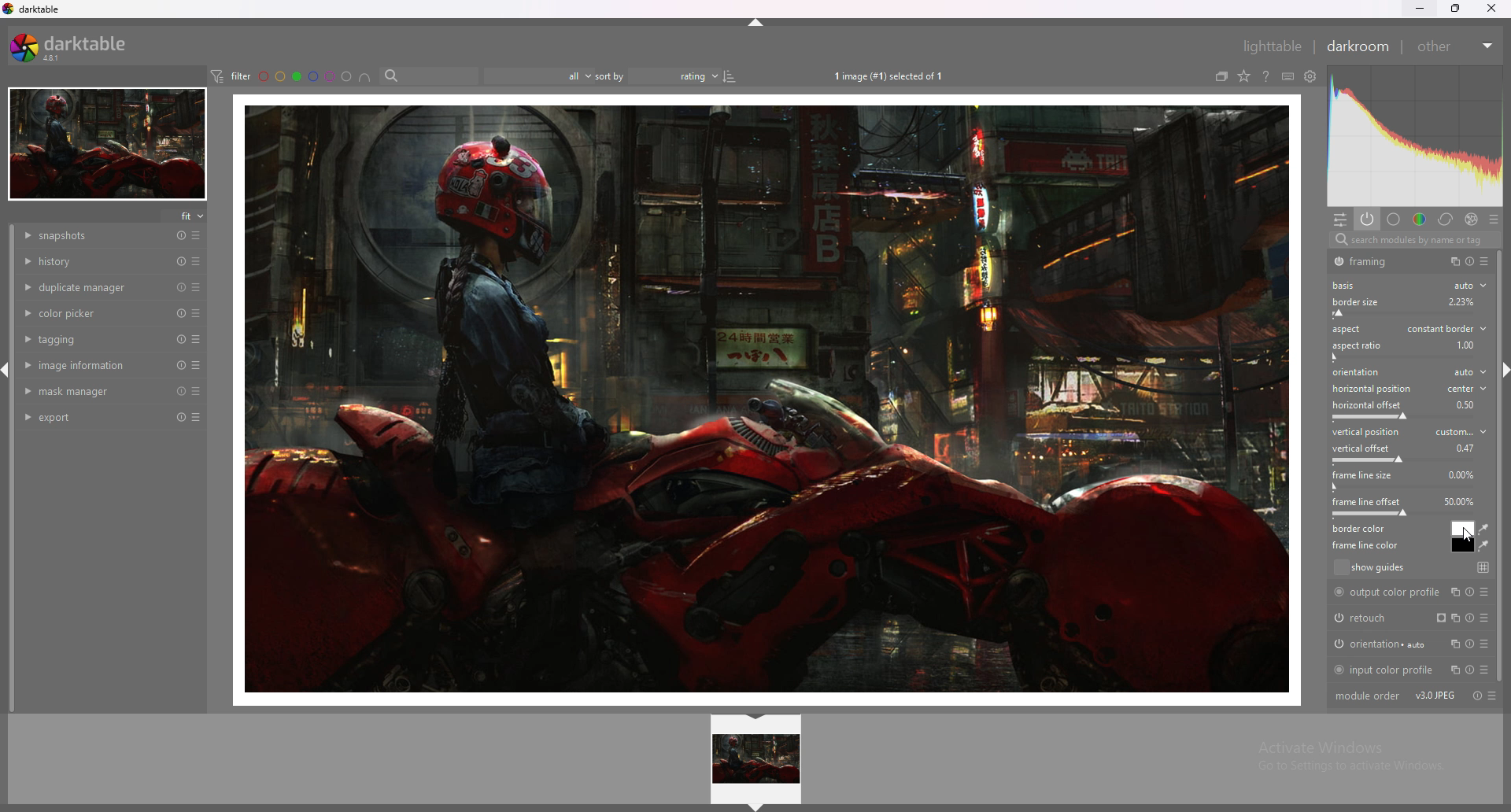 This screenshot has width=1511, height=812. What do you see at coordinates (196, 418) in the screenshot?
I see `presets` at bounding box center [196, 418].